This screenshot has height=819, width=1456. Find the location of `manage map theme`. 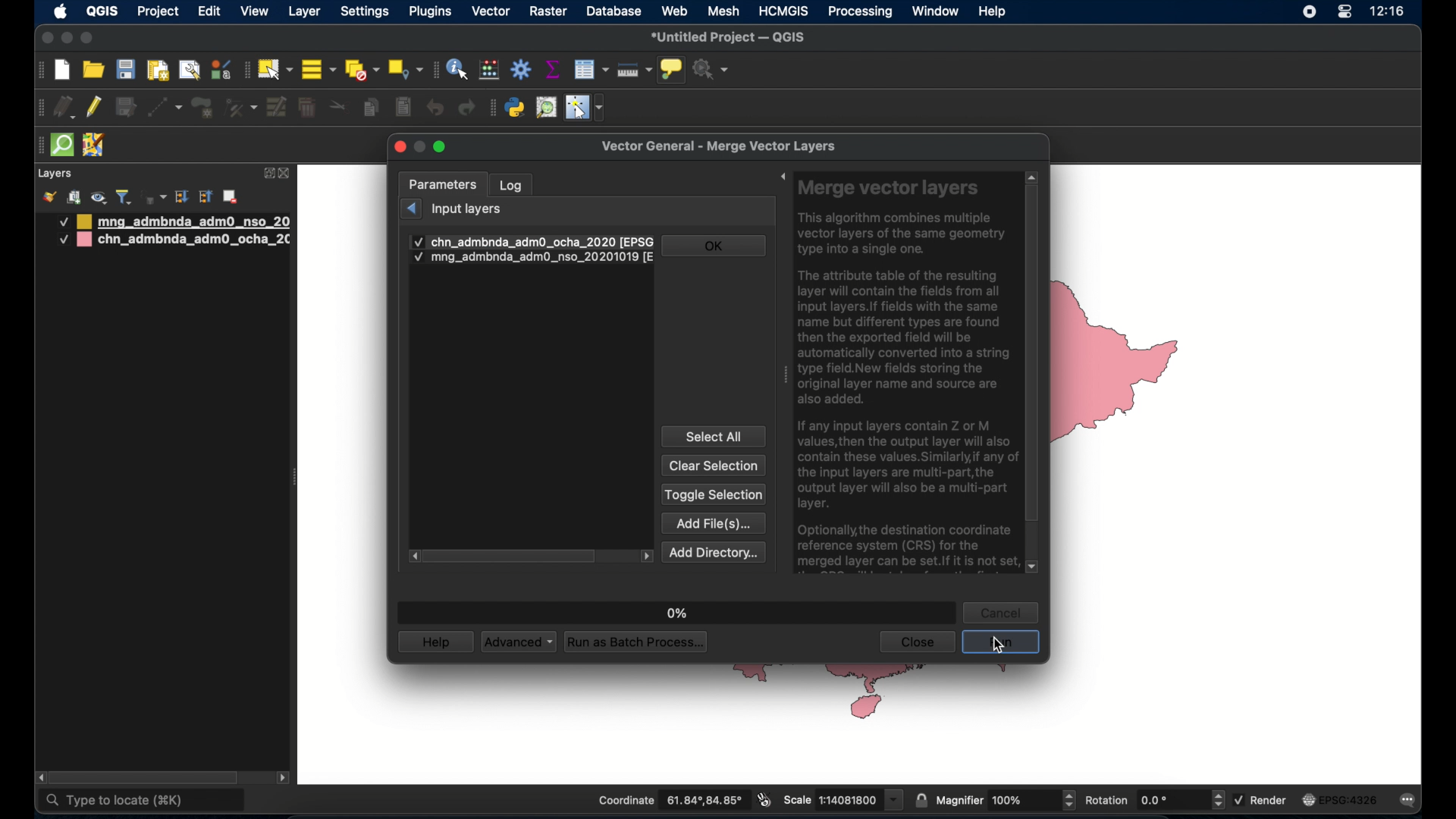

manage map theme is located at coordinates (98, 198).